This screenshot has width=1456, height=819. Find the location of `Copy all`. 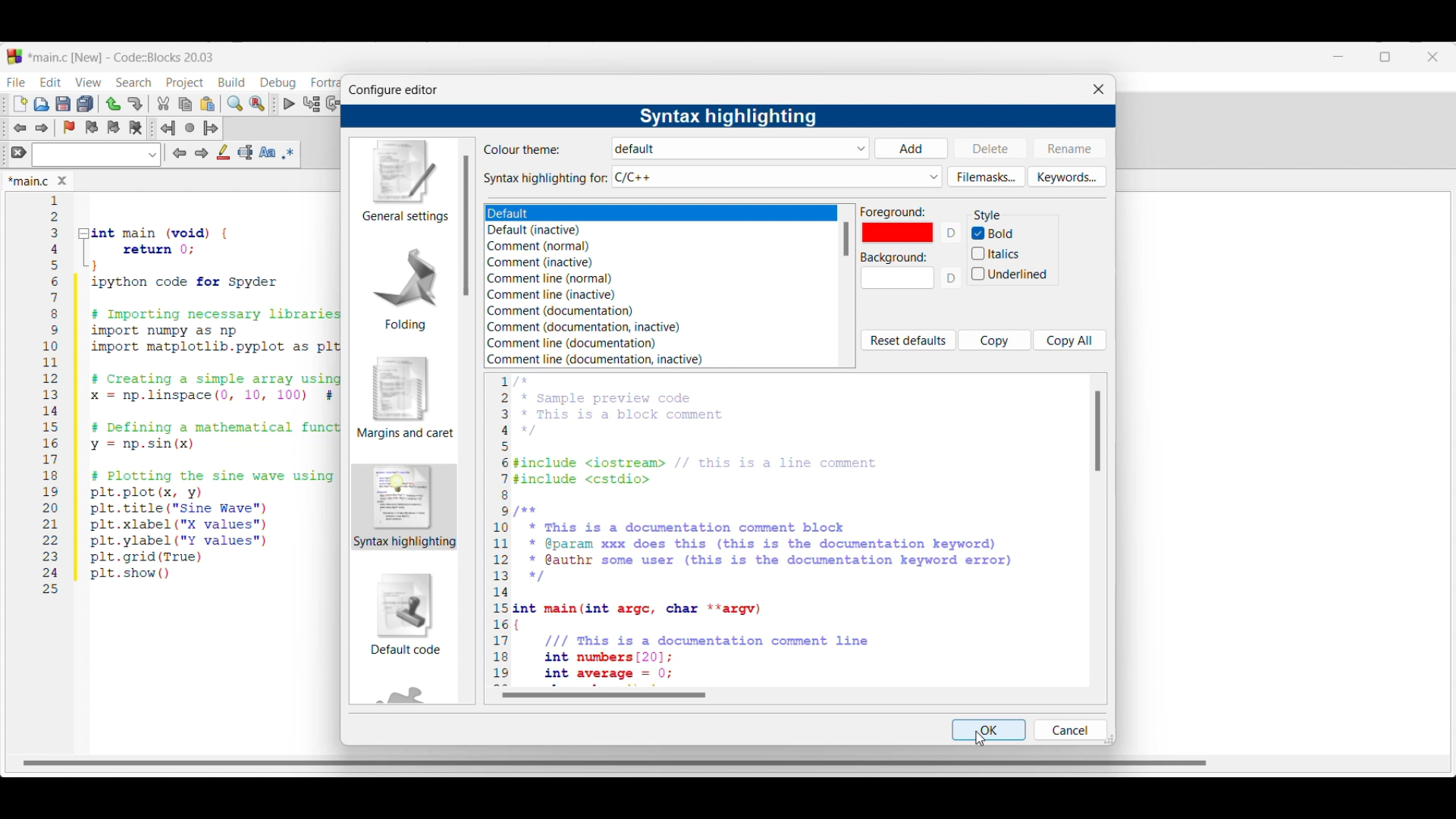

Copy all is located at coordinates (1070, 340).